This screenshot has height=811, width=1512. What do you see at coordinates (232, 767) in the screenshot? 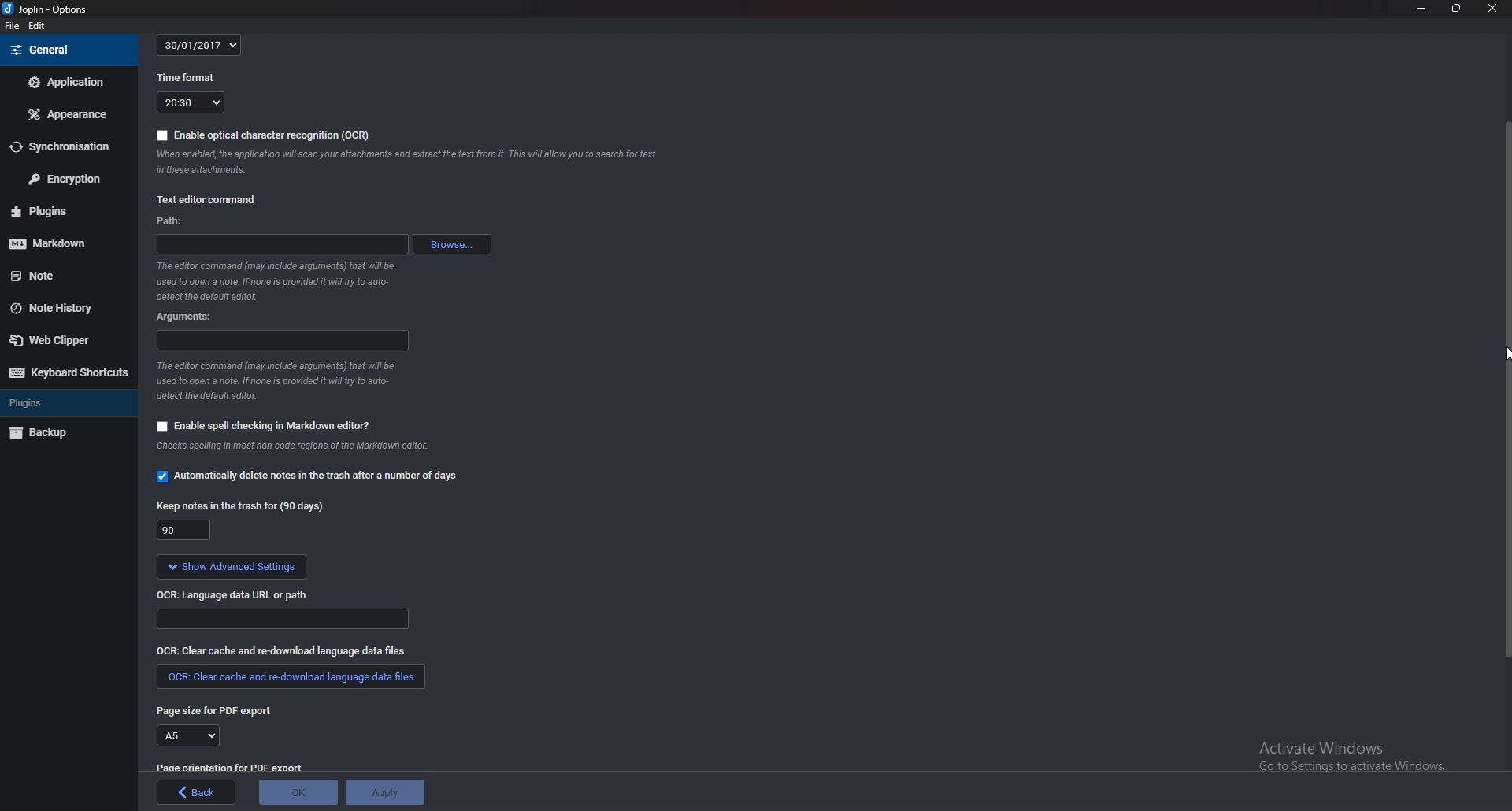
I see `Page orientation for pdf export` at bounding box center [232, 767].